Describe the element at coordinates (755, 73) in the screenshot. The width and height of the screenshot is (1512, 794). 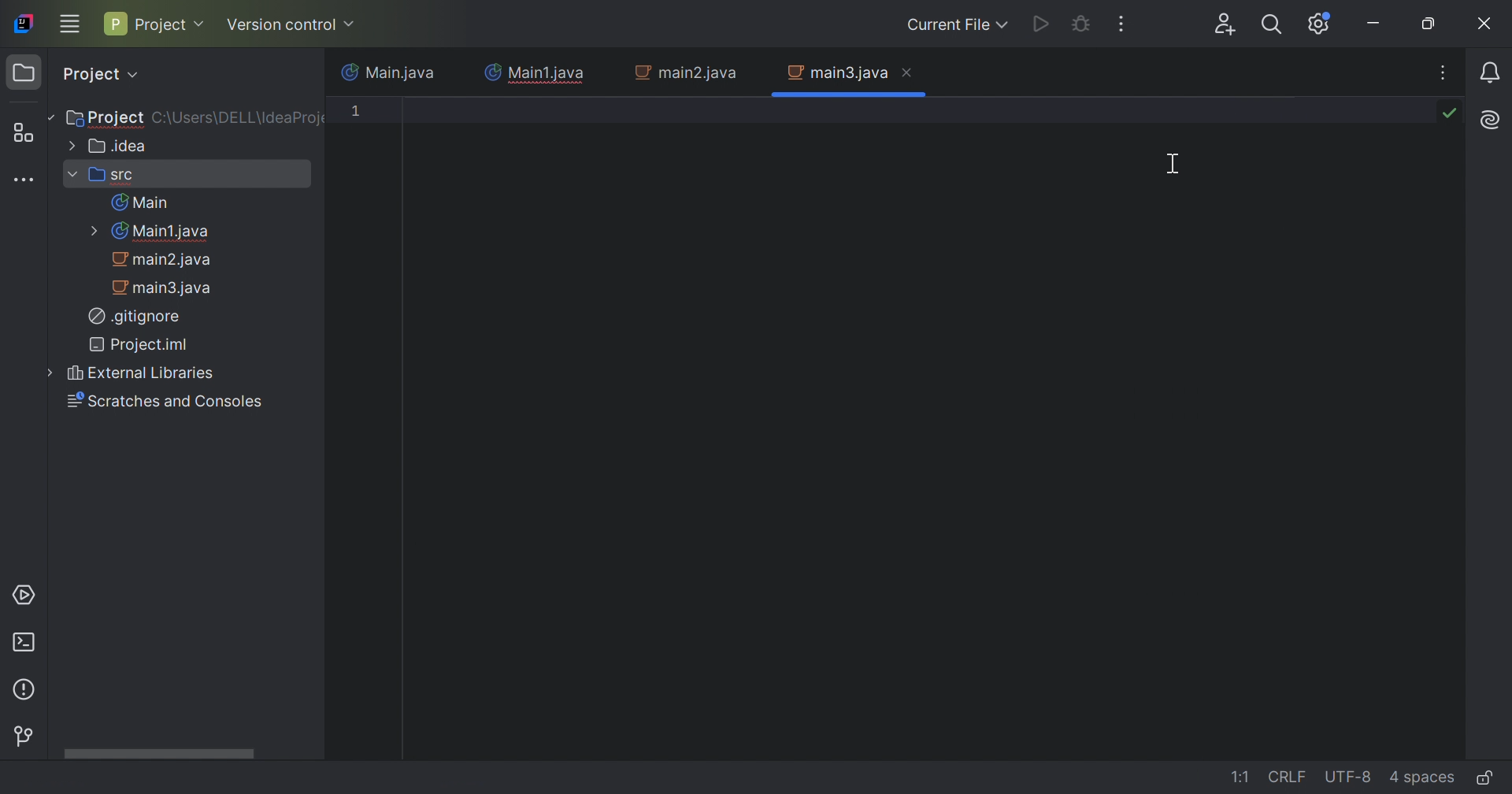
I see `Close` at that location.